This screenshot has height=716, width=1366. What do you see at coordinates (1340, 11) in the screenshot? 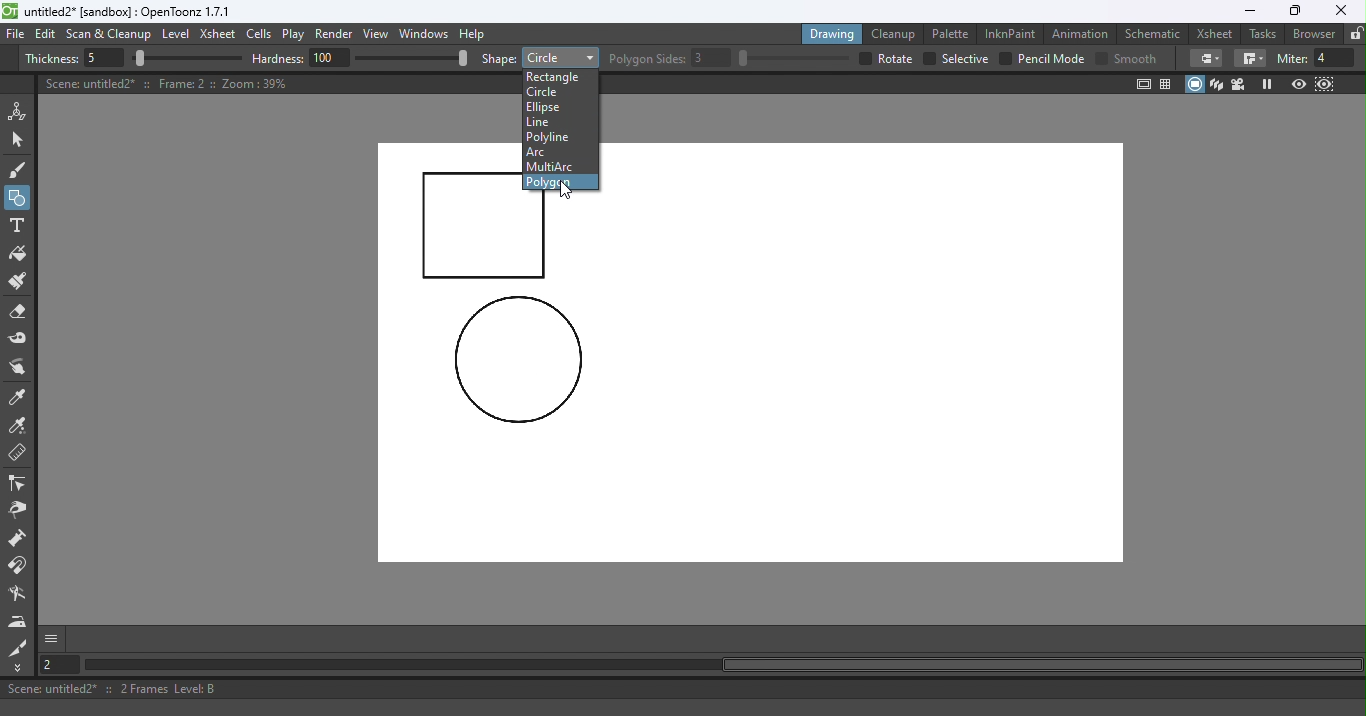
I see `Close` at bounding box center [1340, 11].